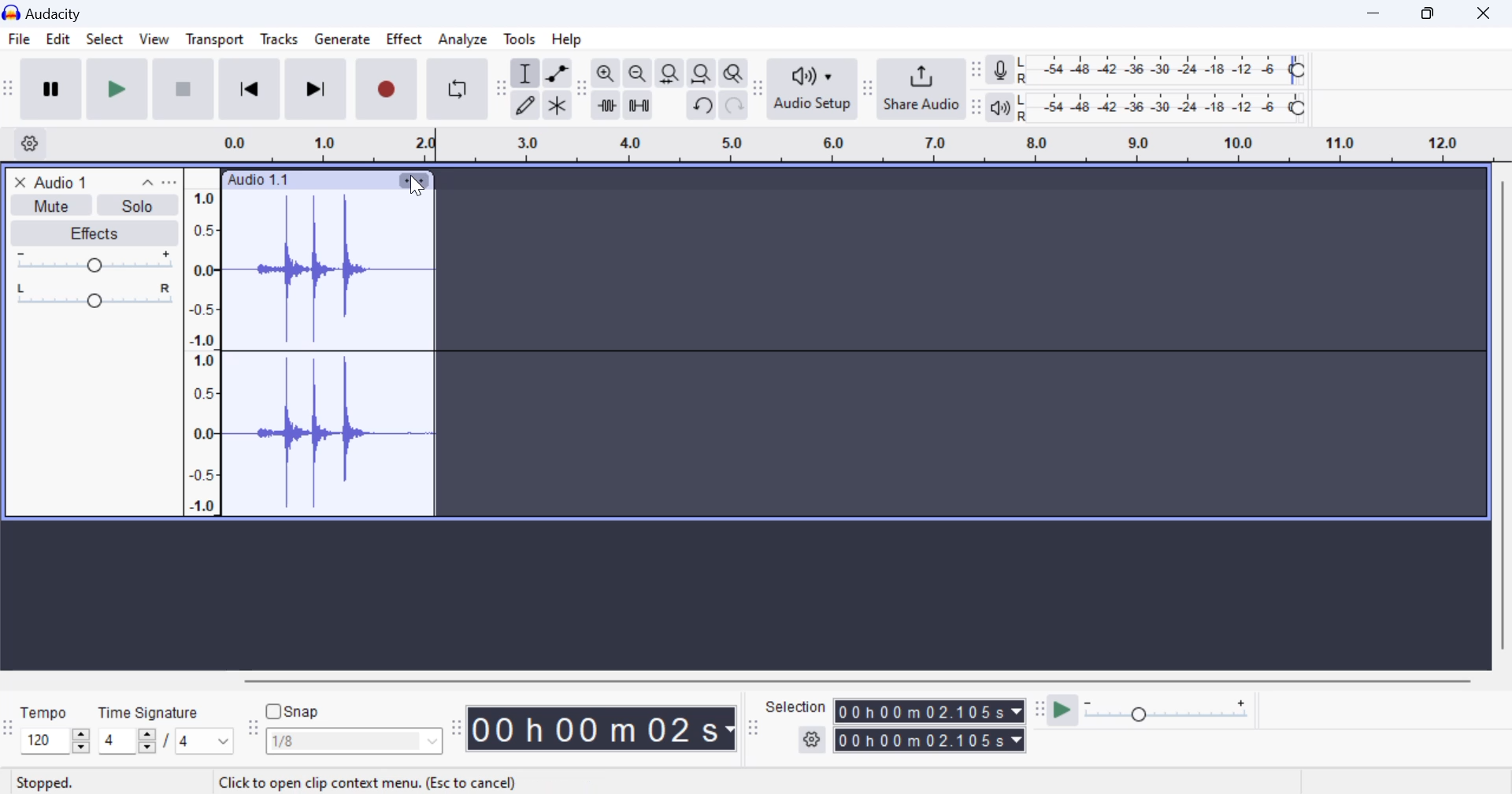 This screenshot has width=1512, height=794. Describe the element at coordinates (813, 740) in the screenshot. I see `settings` at that location.